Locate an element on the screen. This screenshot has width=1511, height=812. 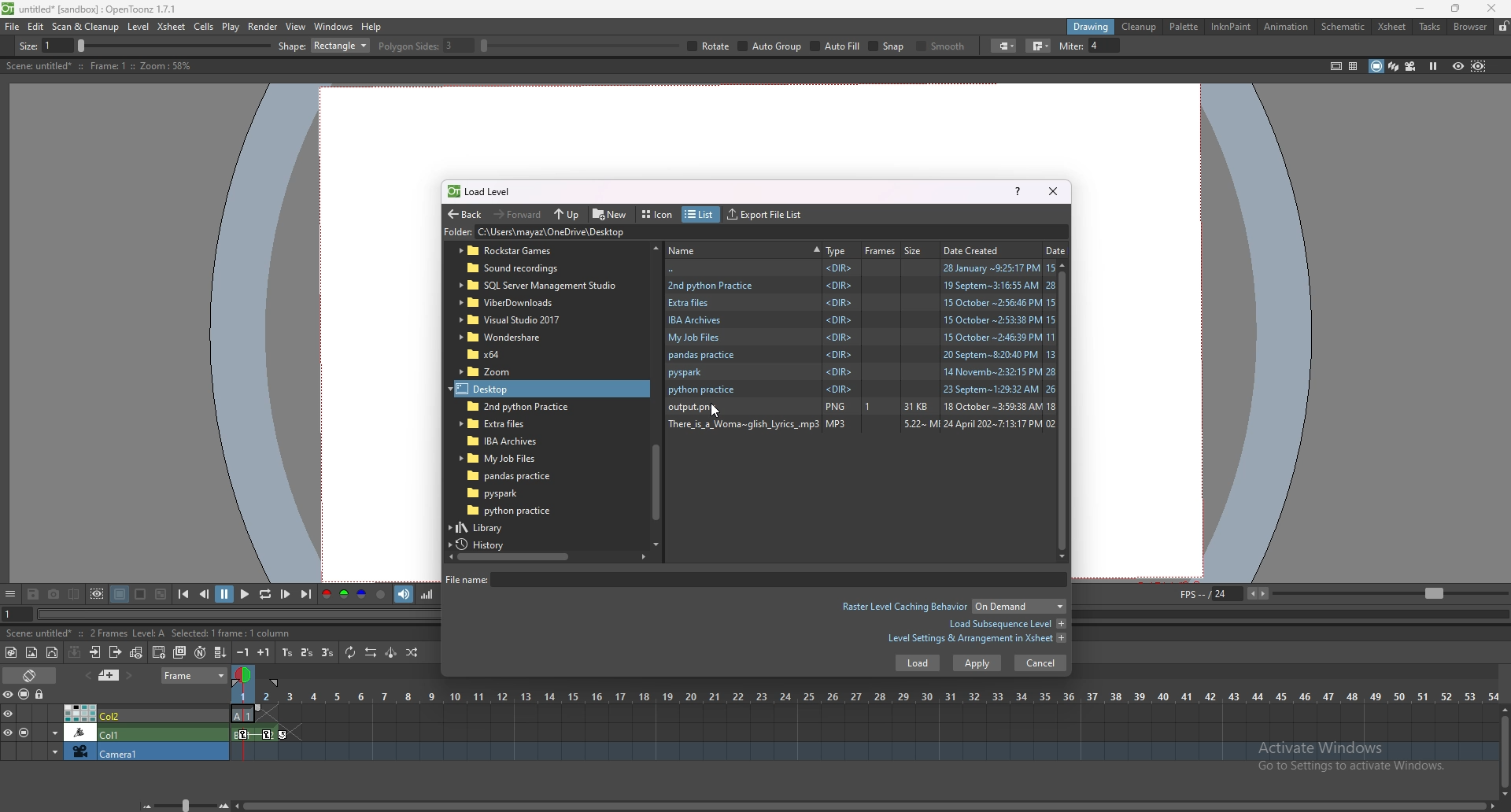
folder is located at coordinates (506, 337).